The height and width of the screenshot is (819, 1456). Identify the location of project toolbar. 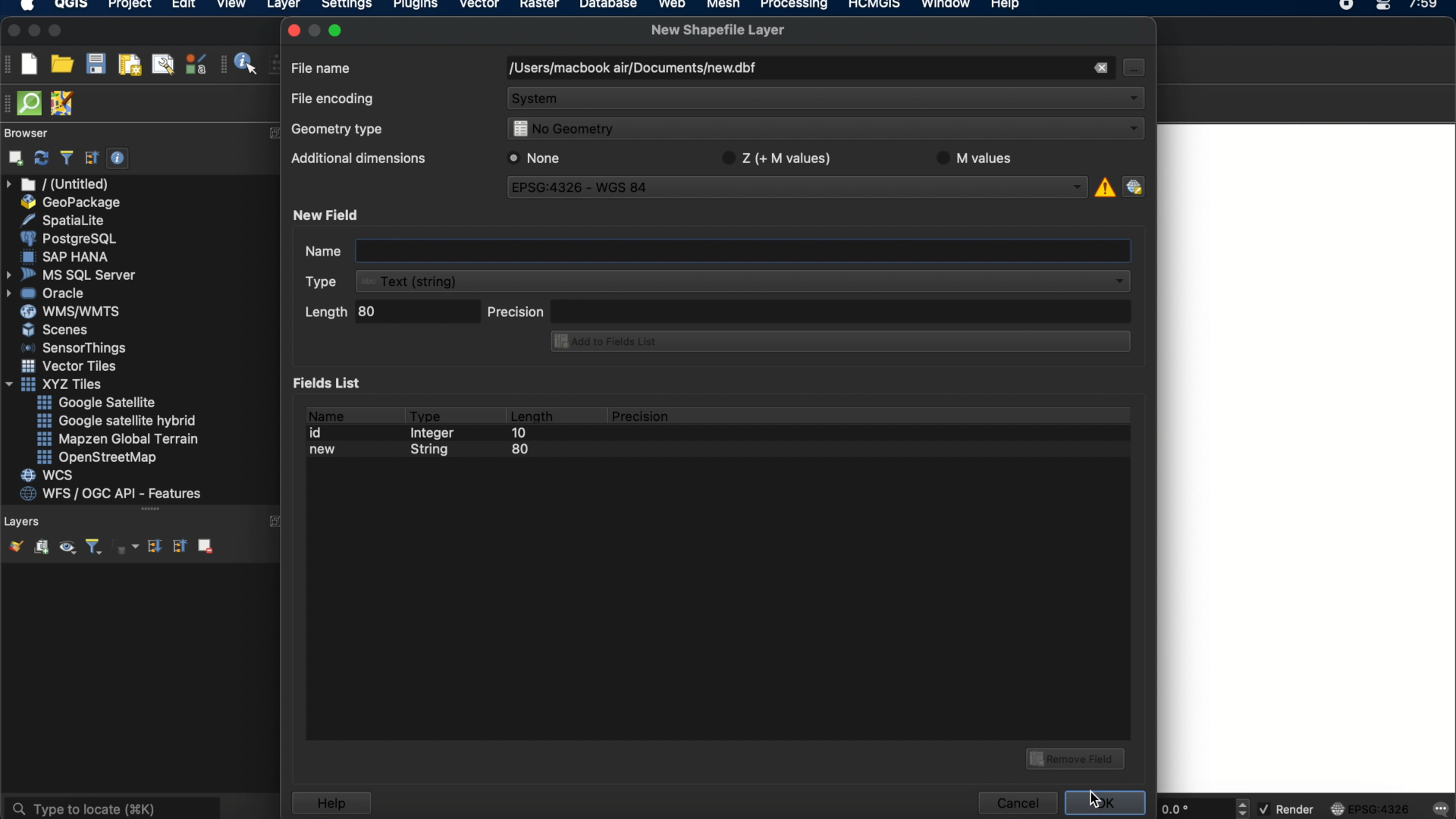
(9, 64).